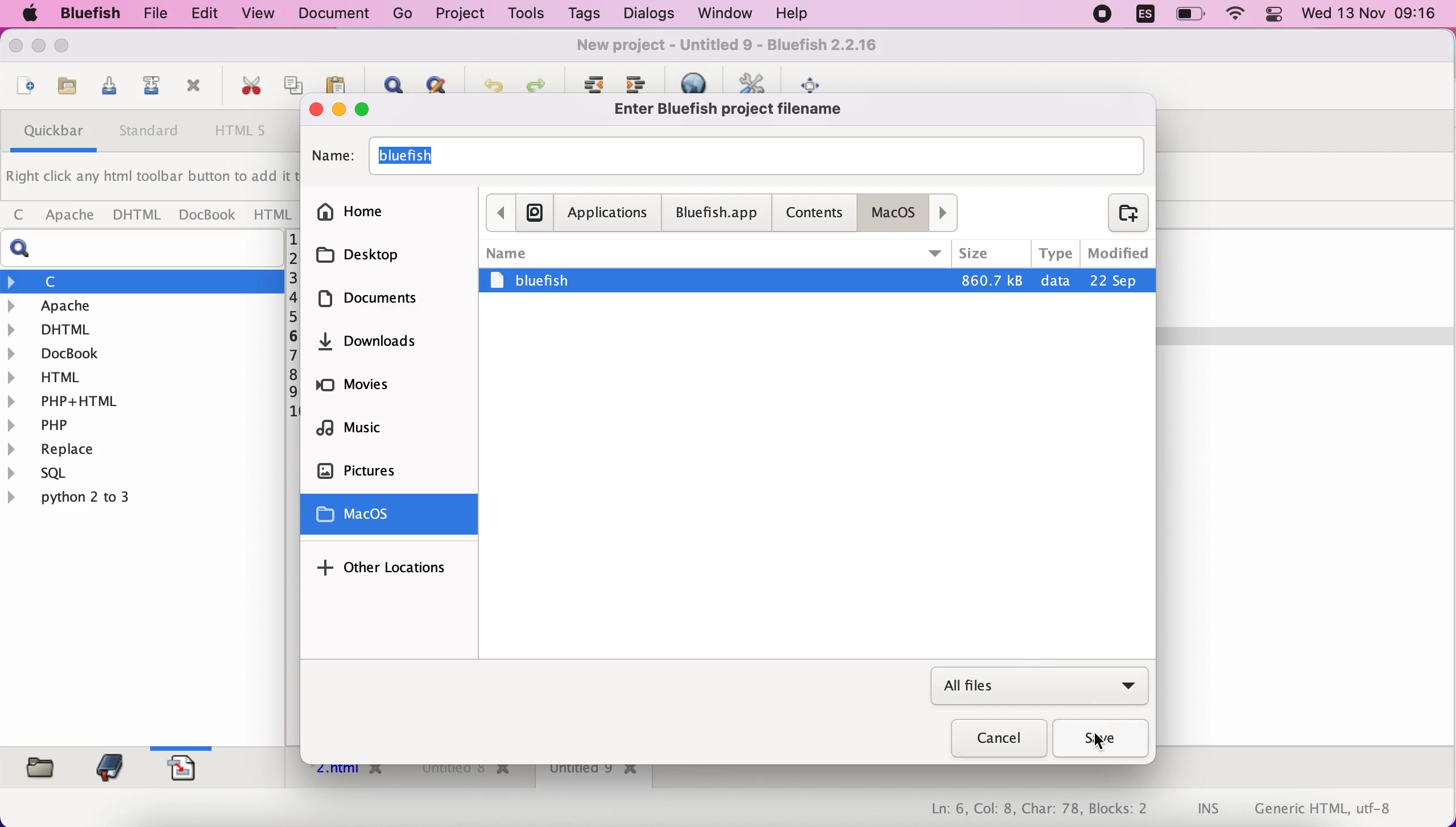 This screenshot has height=827, width=1456. I want to click on save current file, so click(106, 89).